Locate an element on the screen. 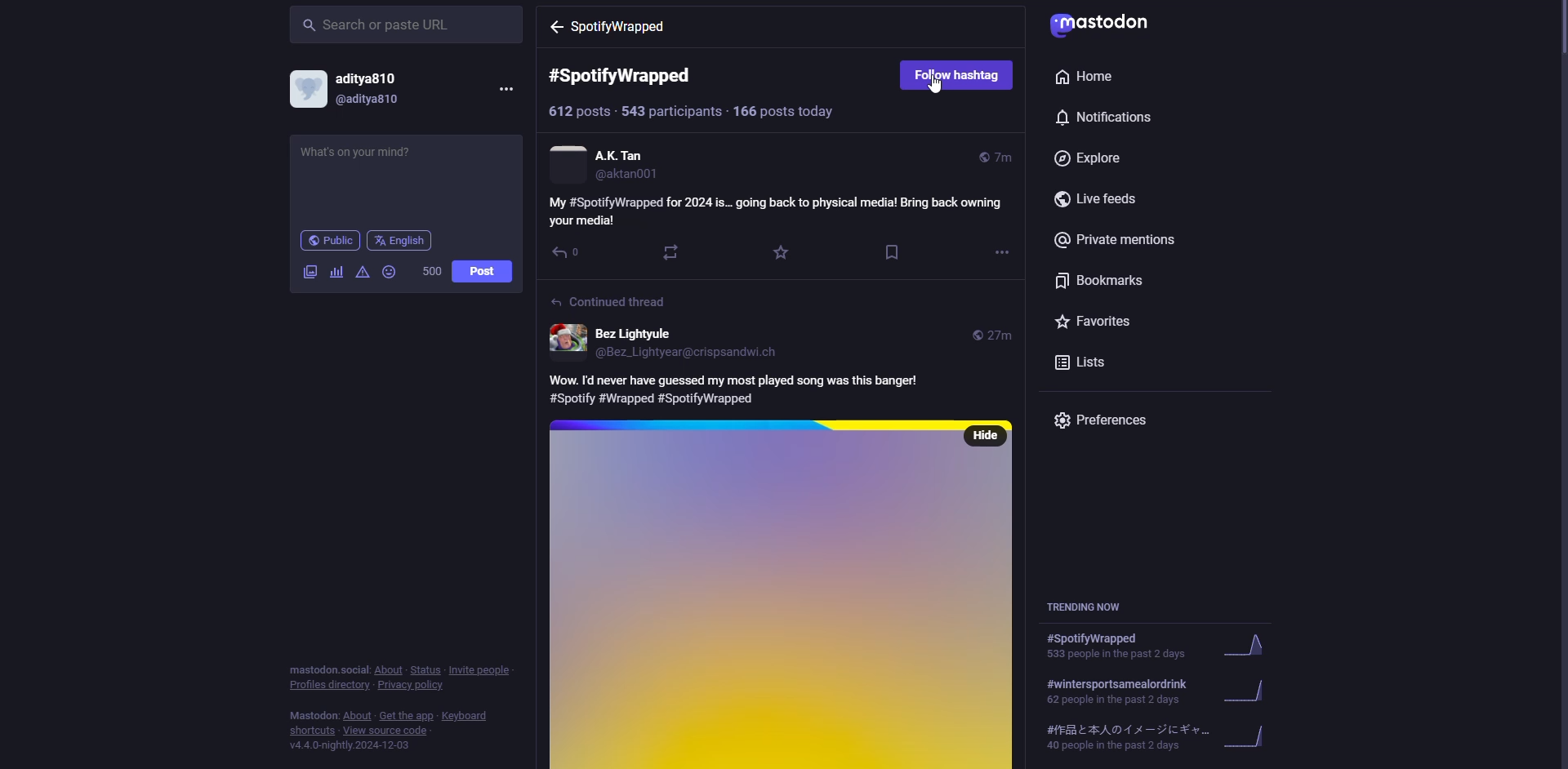 Image resolution: width=1568 pixels, height=769 pixels. trending  is located at coordinates (1156, 647).